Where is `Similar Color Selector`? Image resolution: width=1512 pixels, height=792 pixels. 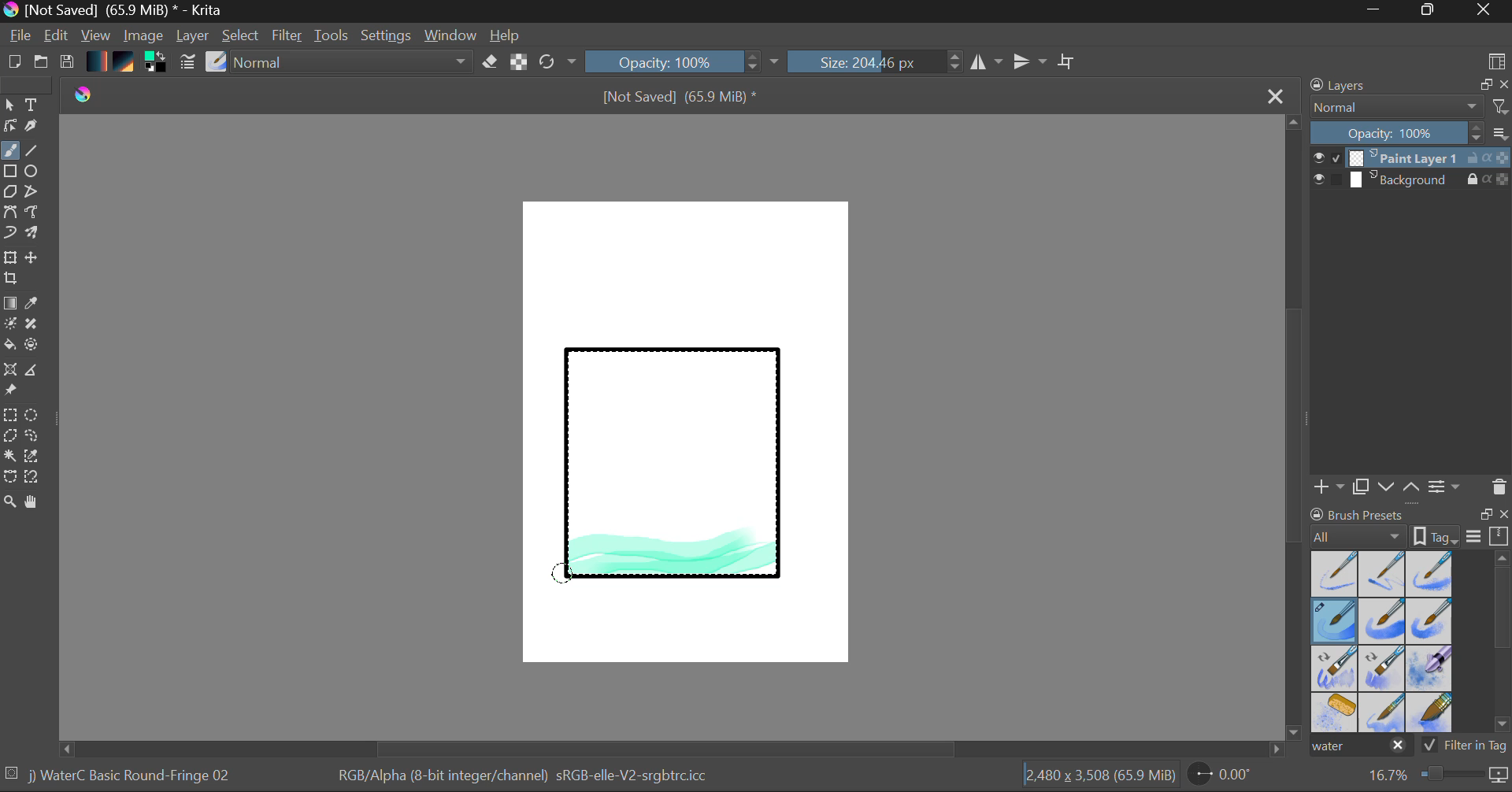
Similar Color Selector is located at coordinates (36, 457).